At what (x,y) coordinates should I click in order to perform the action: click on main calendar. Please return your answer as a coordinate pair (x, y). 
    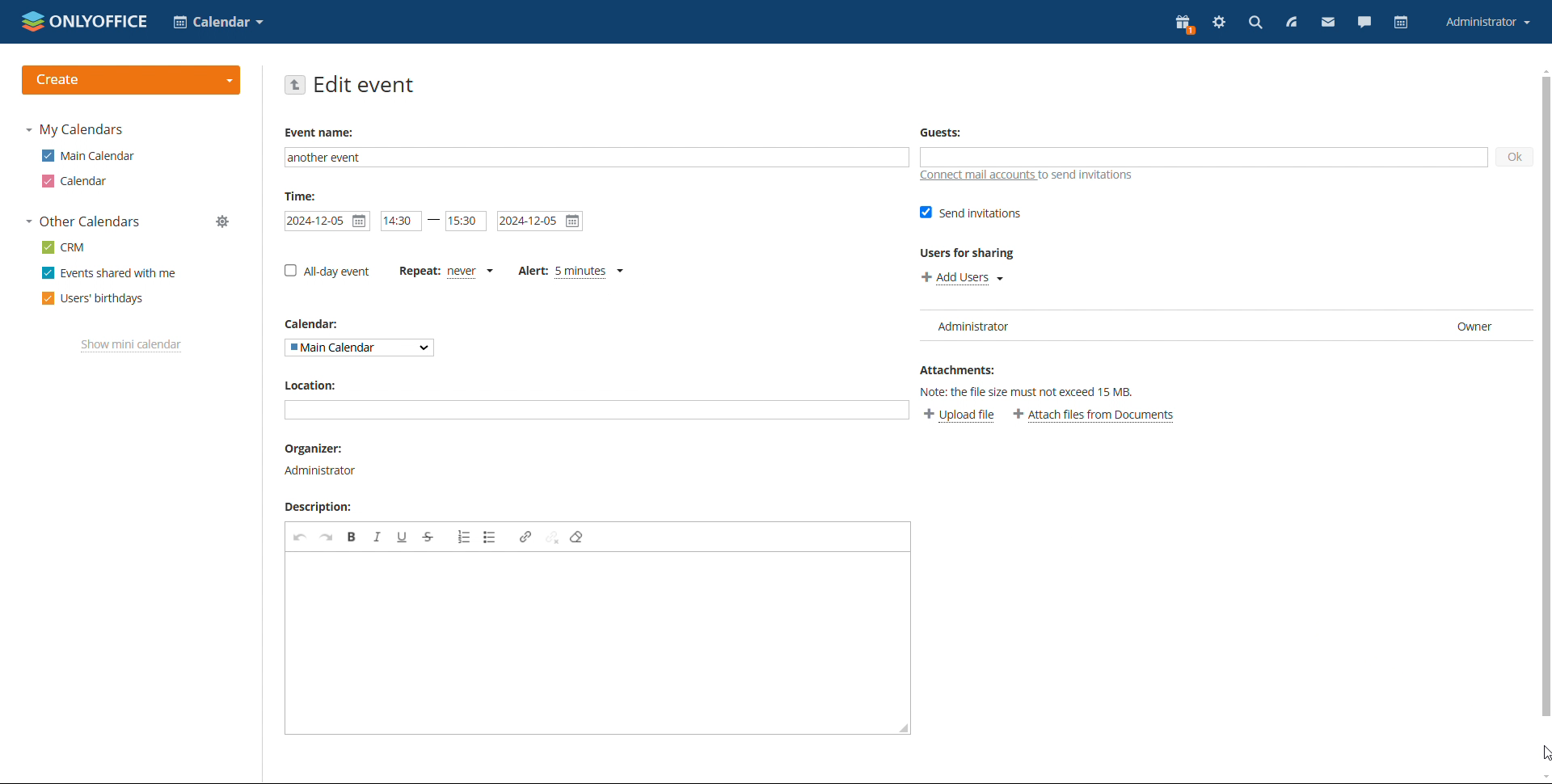
    Looking at the image, I should click on (88, 156).